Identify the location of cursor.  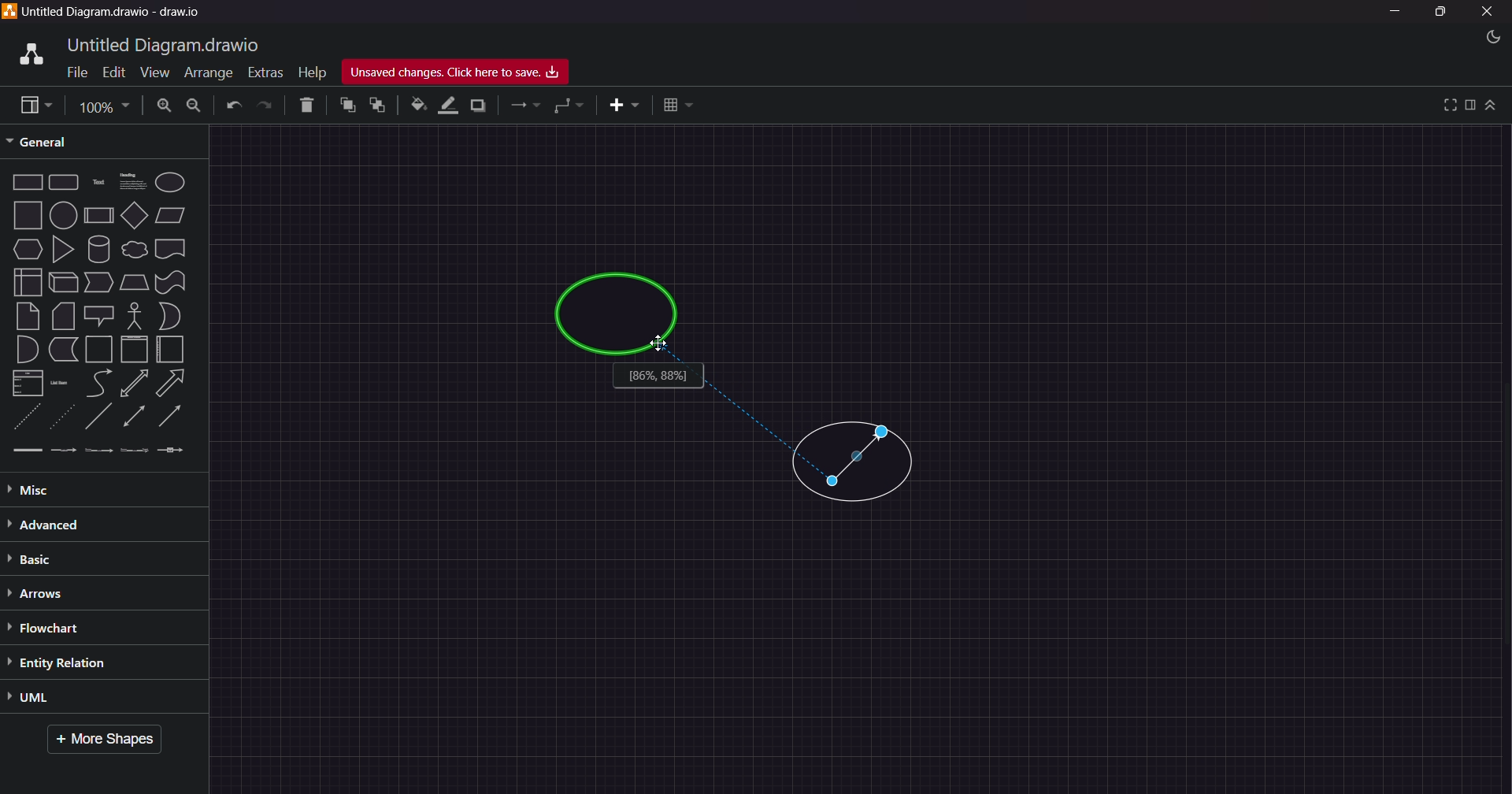
(660, 343).